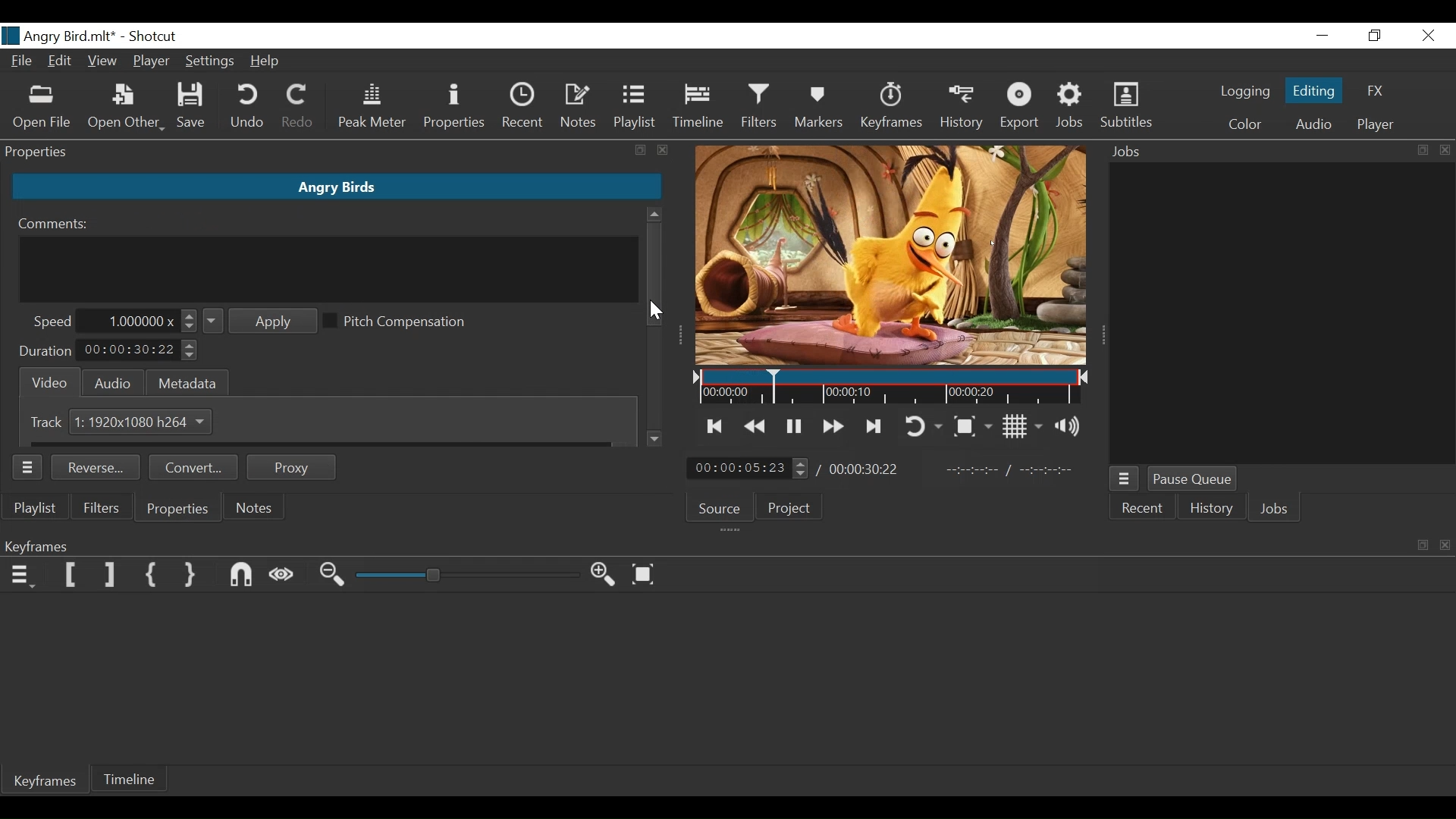 The width and height of the screenshot is (1456, 819). Describe the element at coordinates (1323, 36) in the screenshot. I see `Minimize` at that location.